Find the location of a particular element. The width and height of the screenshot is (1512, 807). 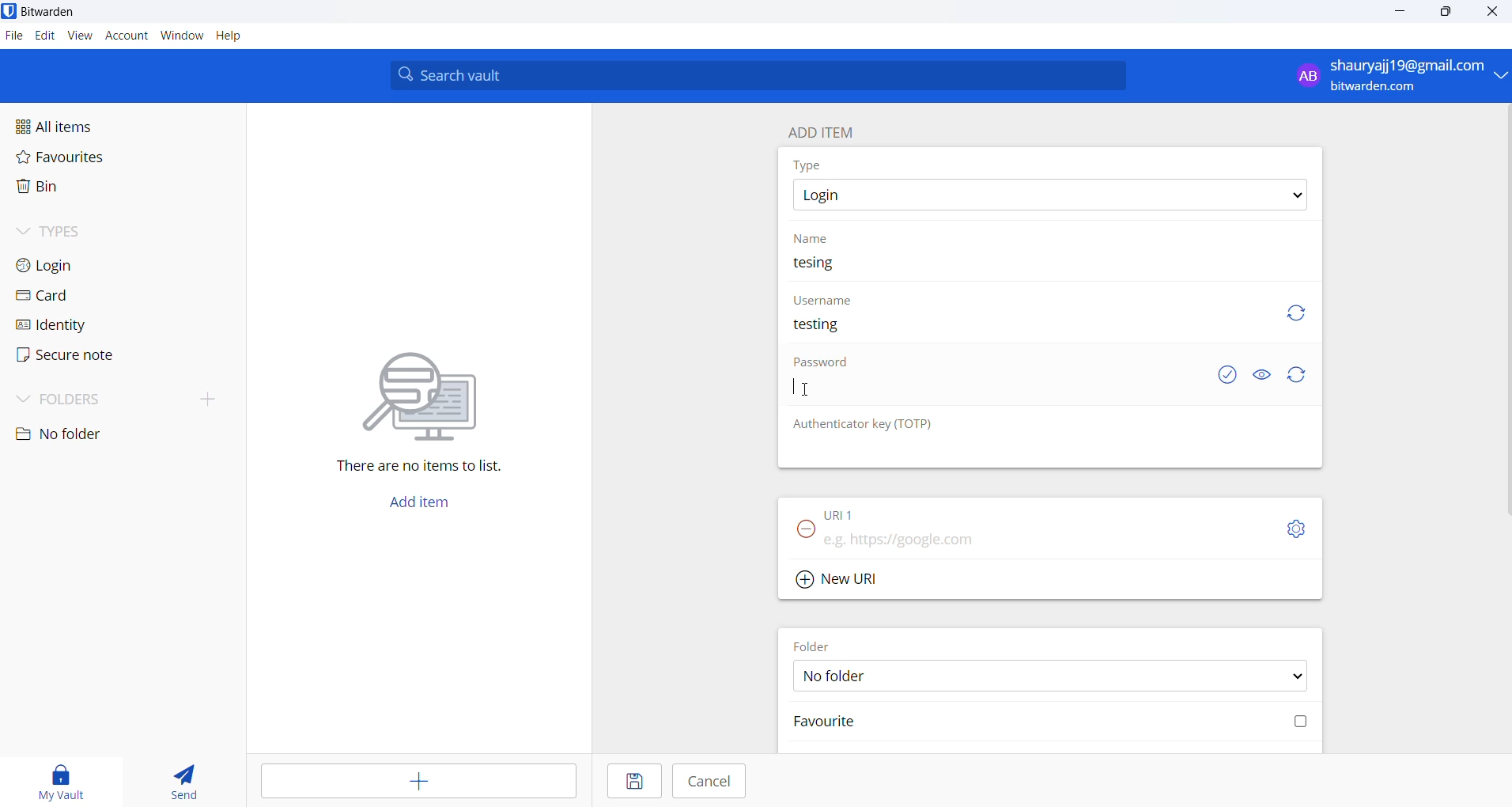

search bar is located at coordinates (764, 75).